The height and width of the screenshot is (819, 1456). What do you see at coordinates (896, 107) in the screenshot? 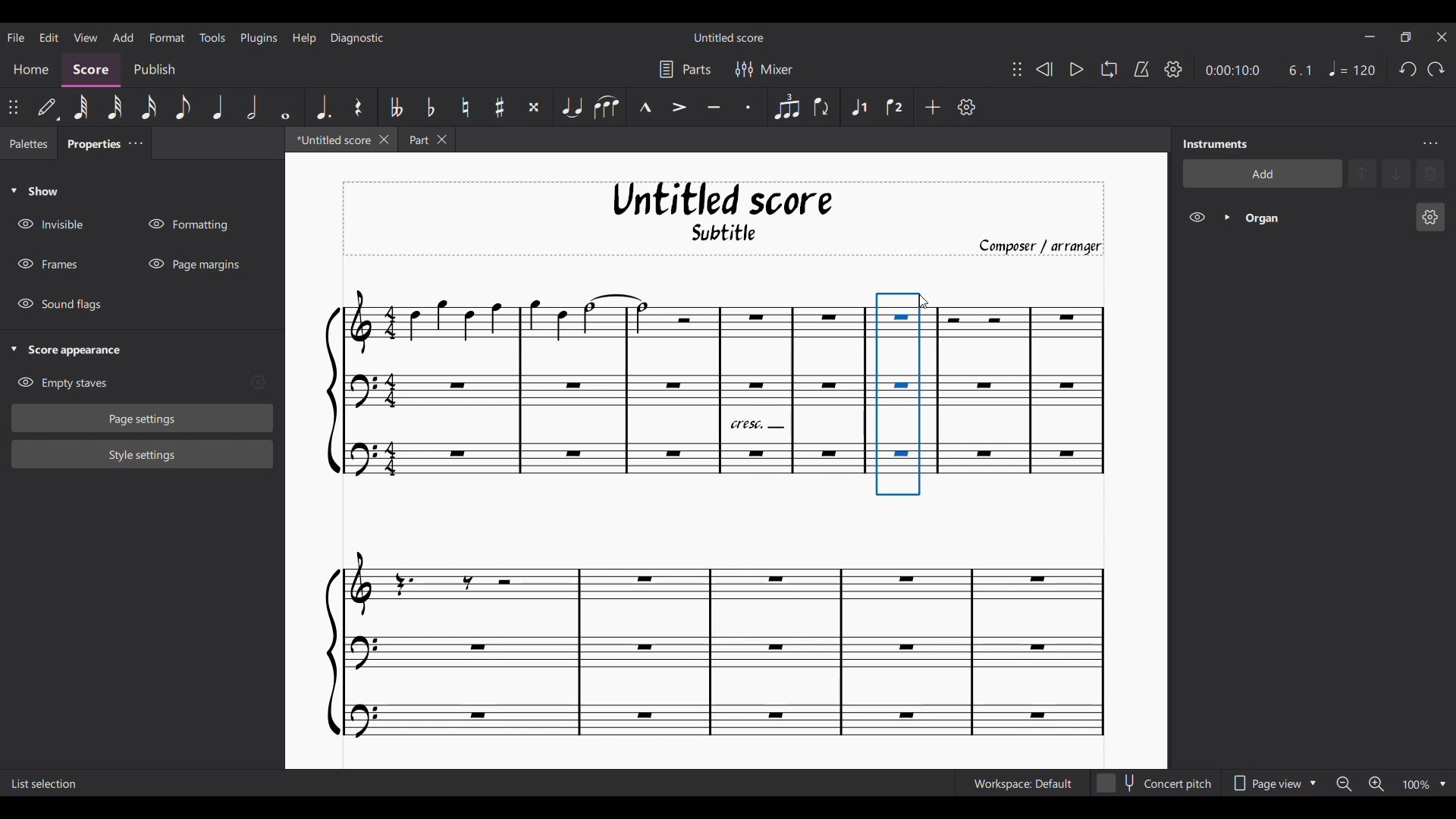
I see `Voice 2` at bounding box center [896, 107].